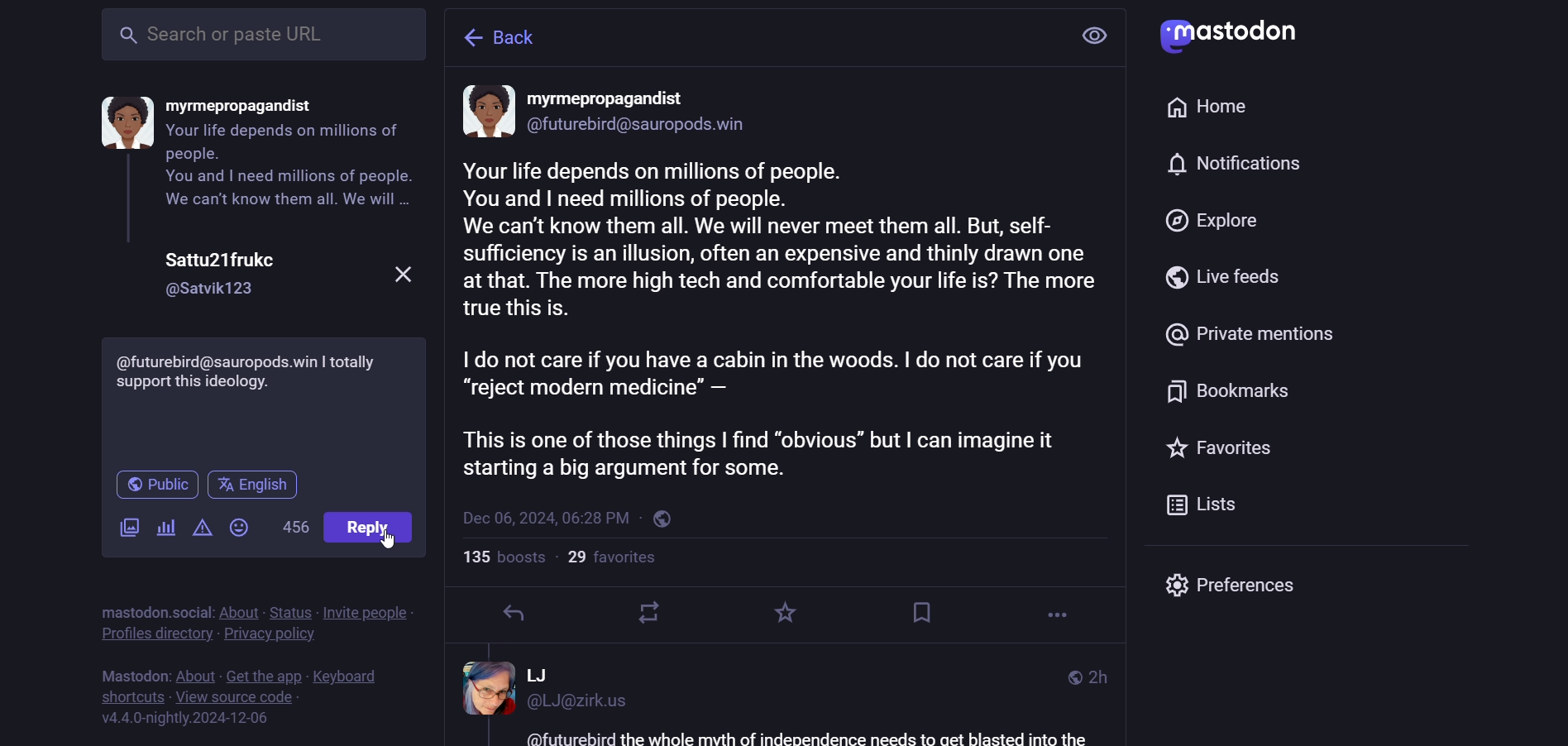 The height and width of the screenshot is (746, 1568). I want to click on mastodon, so click(1232, 34).